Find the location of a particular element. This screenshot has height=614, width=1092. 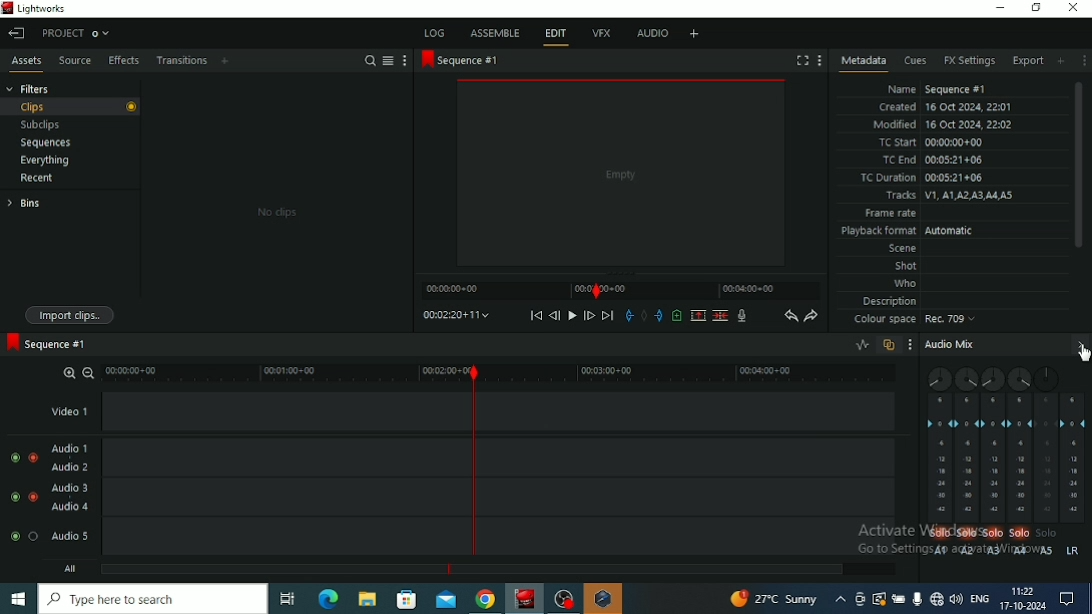

Frame rate is located at coordinates (889, 214).